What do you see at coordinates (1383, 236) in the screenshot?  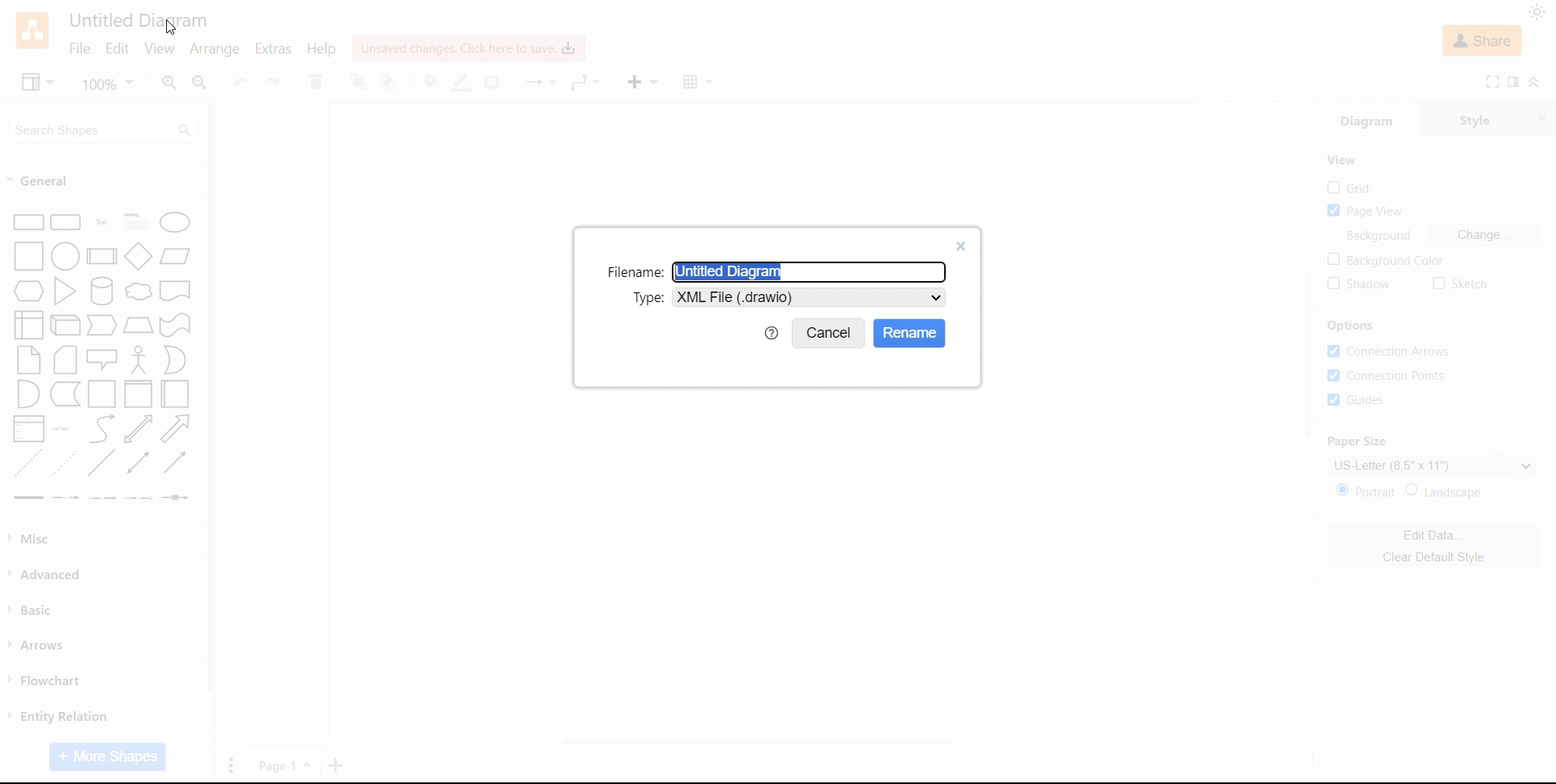 I see `text` at bounding box center [1383, 236].